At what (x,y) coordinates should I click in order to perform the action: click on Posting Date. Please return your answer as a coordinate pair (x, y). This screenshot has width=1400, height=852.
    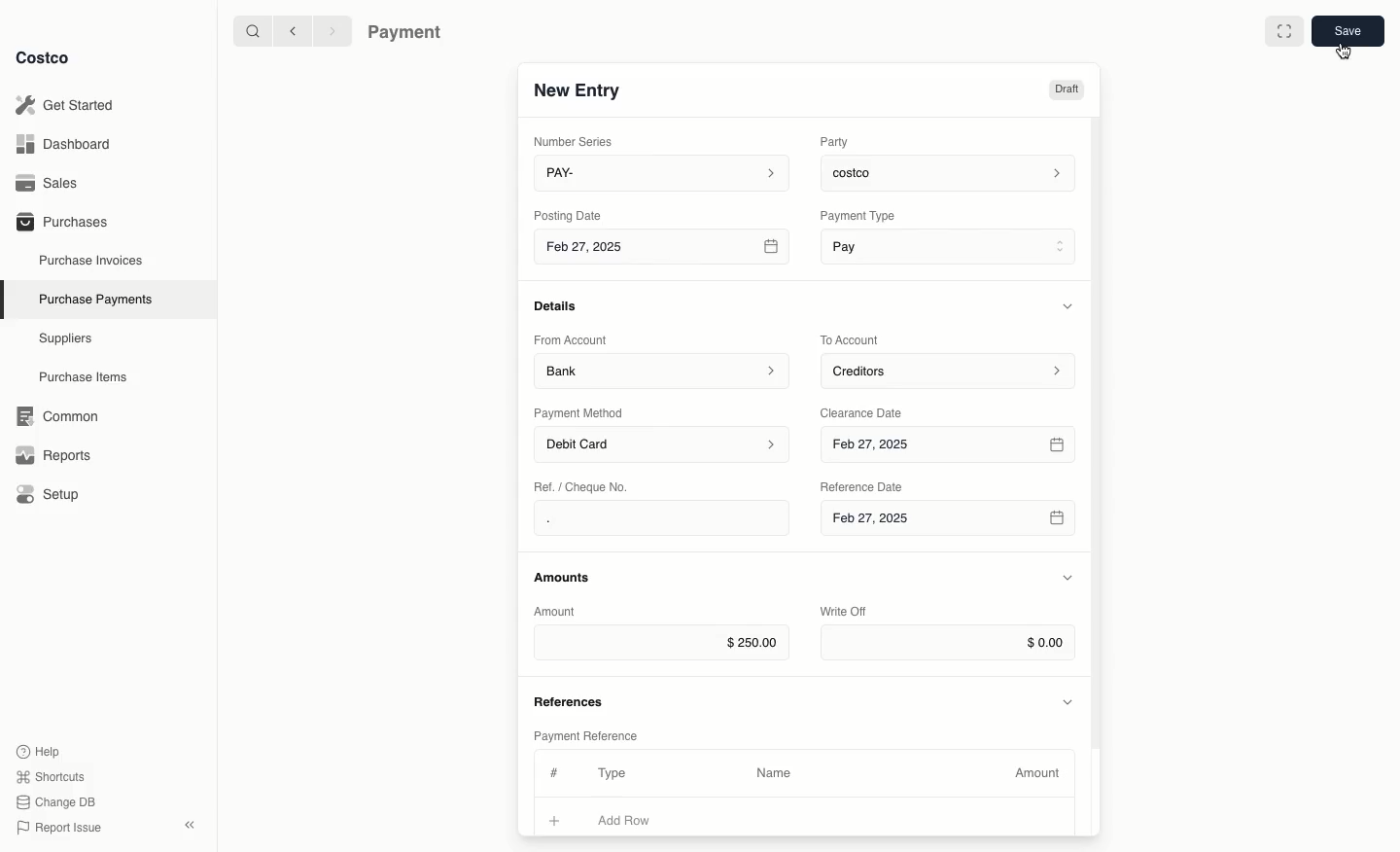
    Looking at the image, I should click on (570, 214).